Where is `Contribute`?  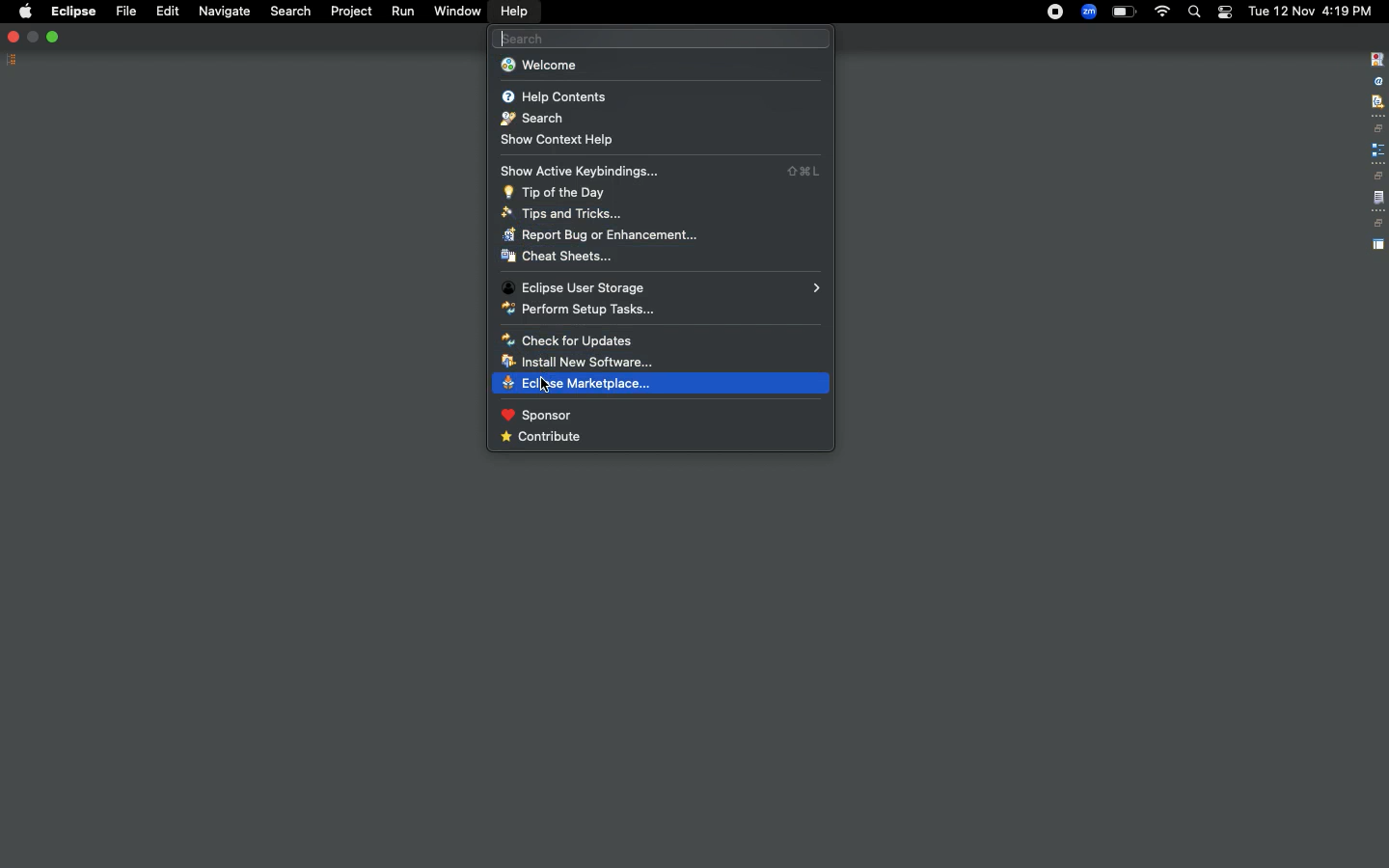
Contribute is located at coordinates (543, 438).